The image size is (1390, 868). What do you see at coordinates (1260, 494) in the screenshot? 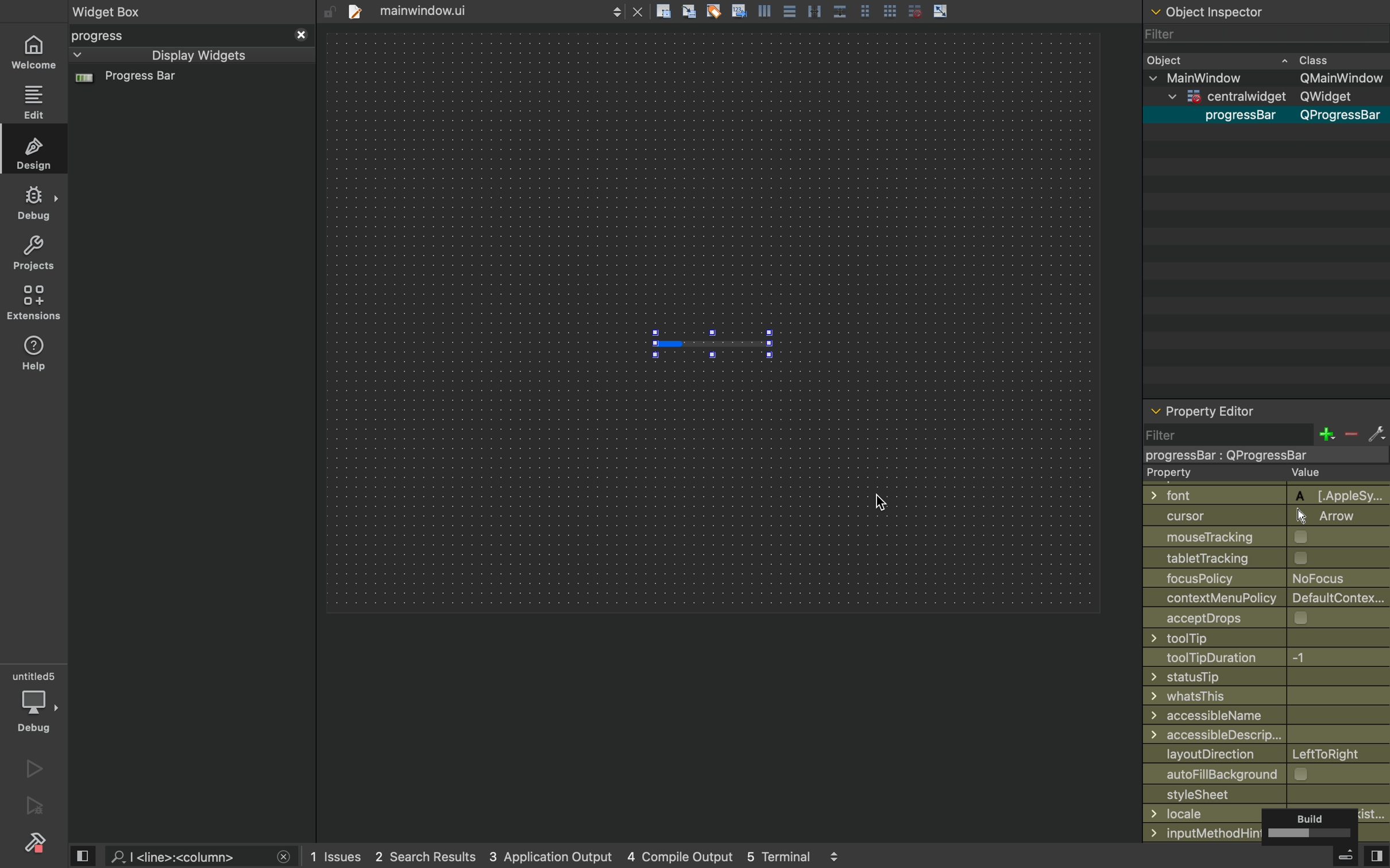
I see `font` at bounding box center [1260, 494].